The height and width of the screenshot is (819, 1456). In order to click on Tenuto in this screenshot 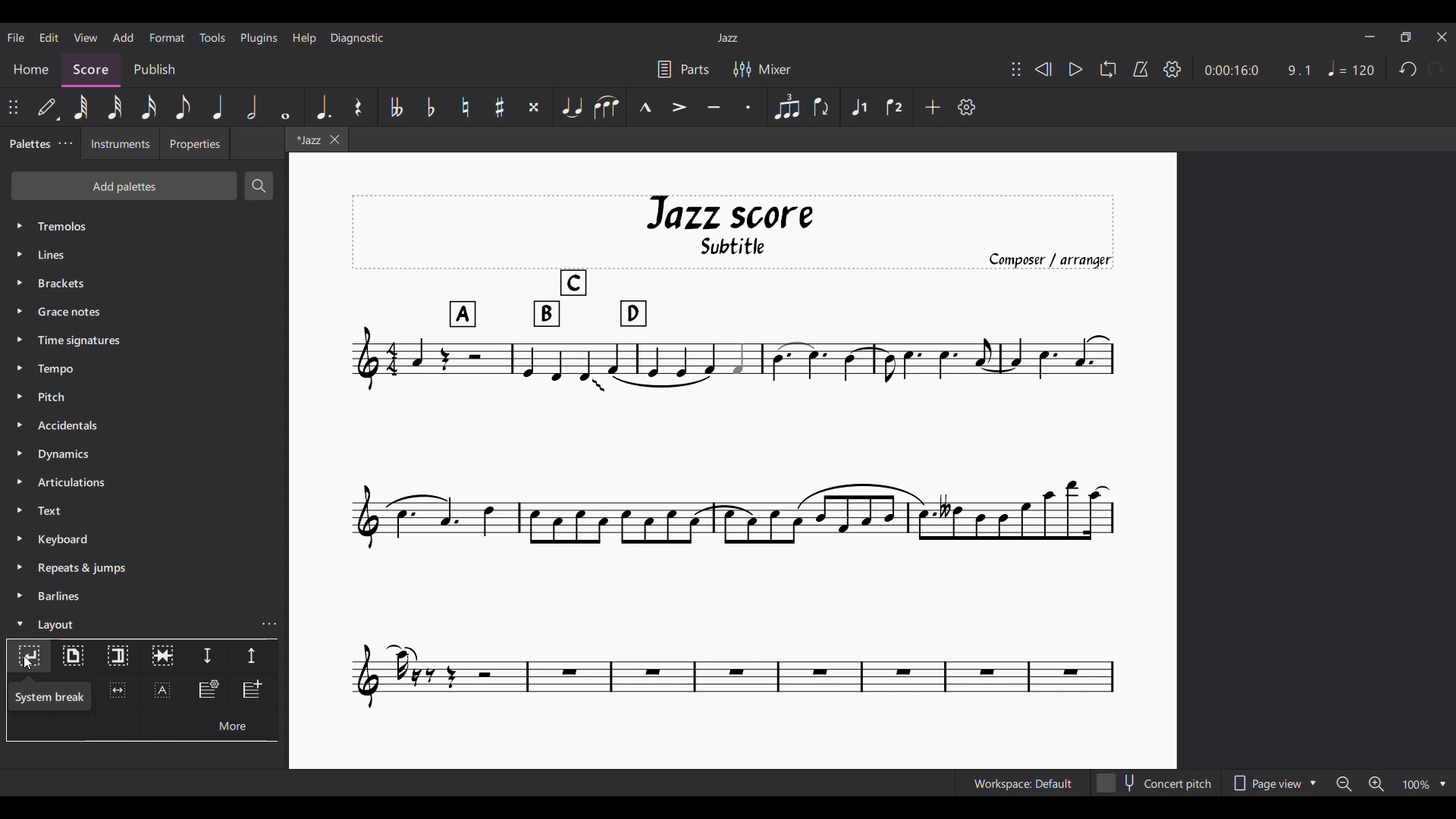, I will do `click(714, 107)`.